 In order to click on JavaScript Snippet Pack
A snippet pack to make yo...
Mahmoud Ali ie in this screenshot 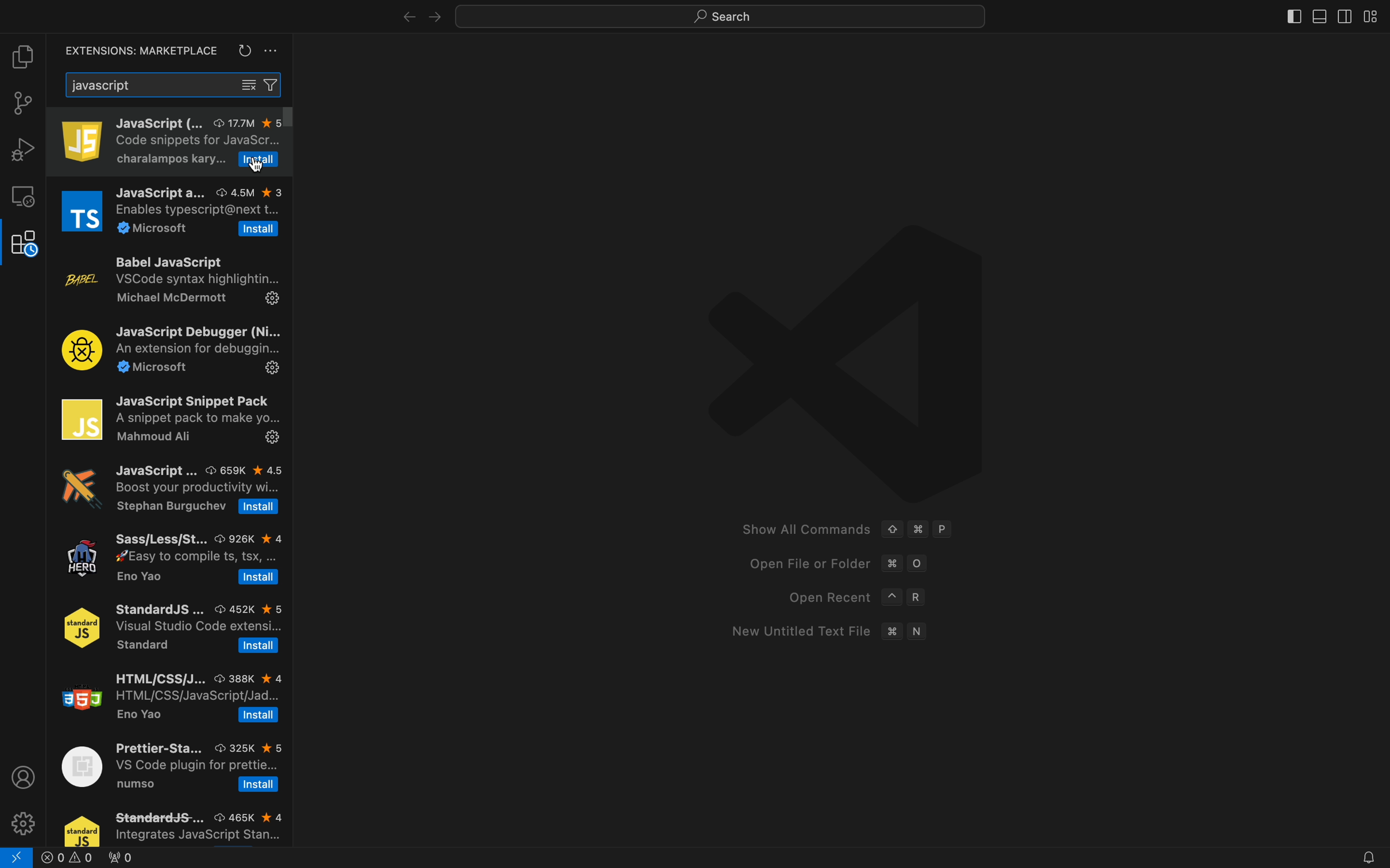, I will do `click(167, 420)`.